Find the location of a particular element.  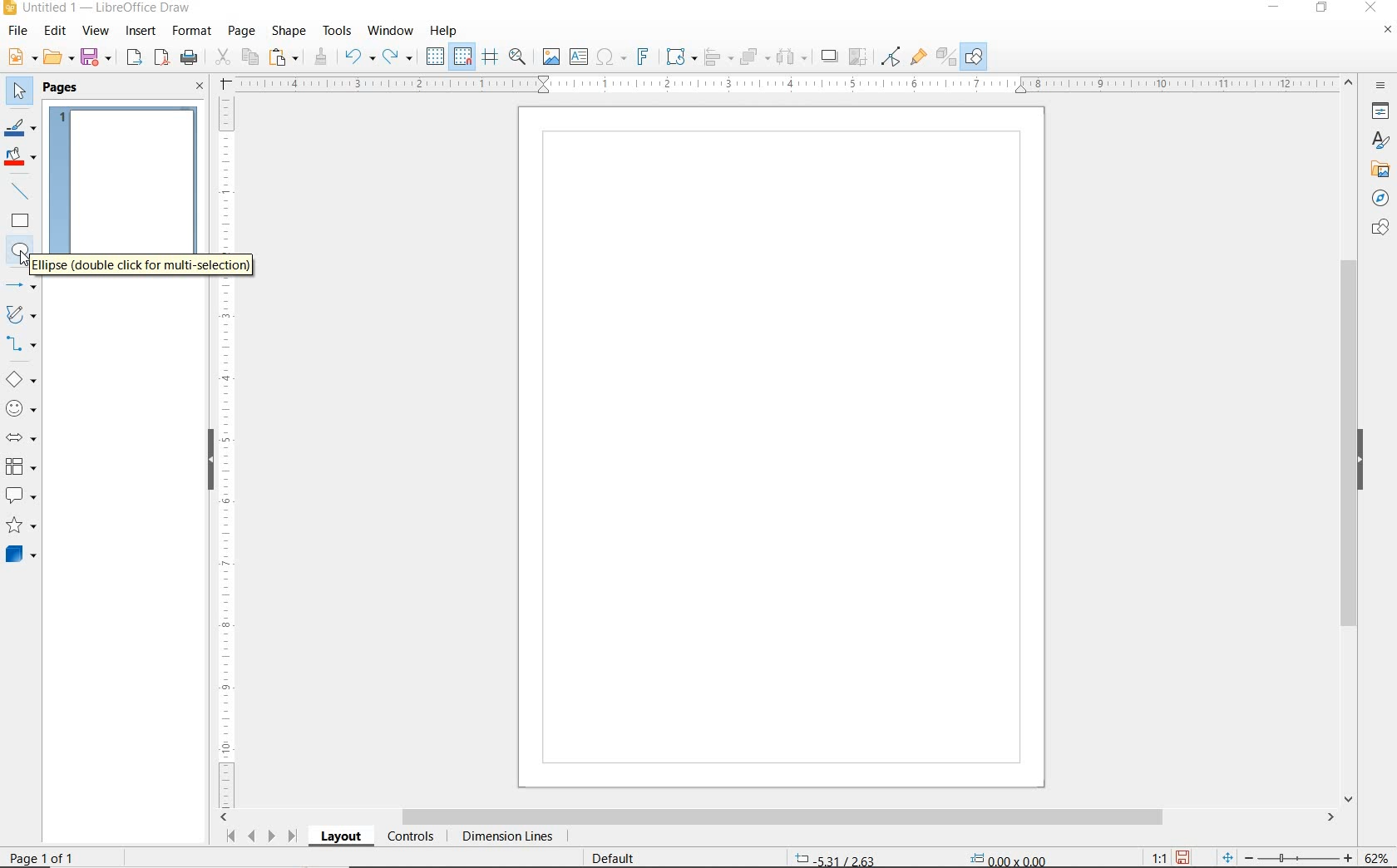

DEFAULT is located at coordinates (619, 856).